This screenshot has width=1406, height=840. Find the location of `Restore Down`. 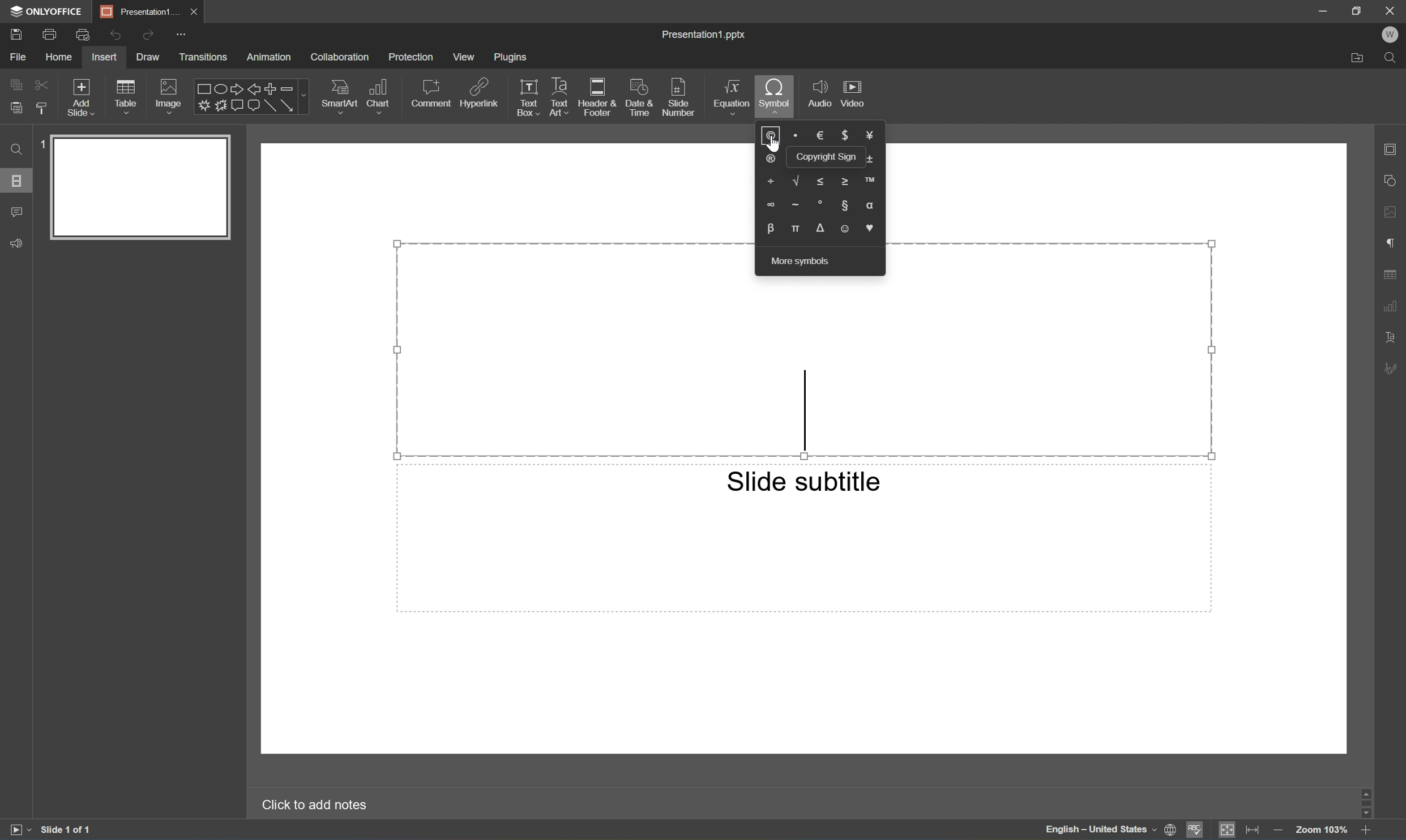

Restore Down is located at coordinates (1357, 10).